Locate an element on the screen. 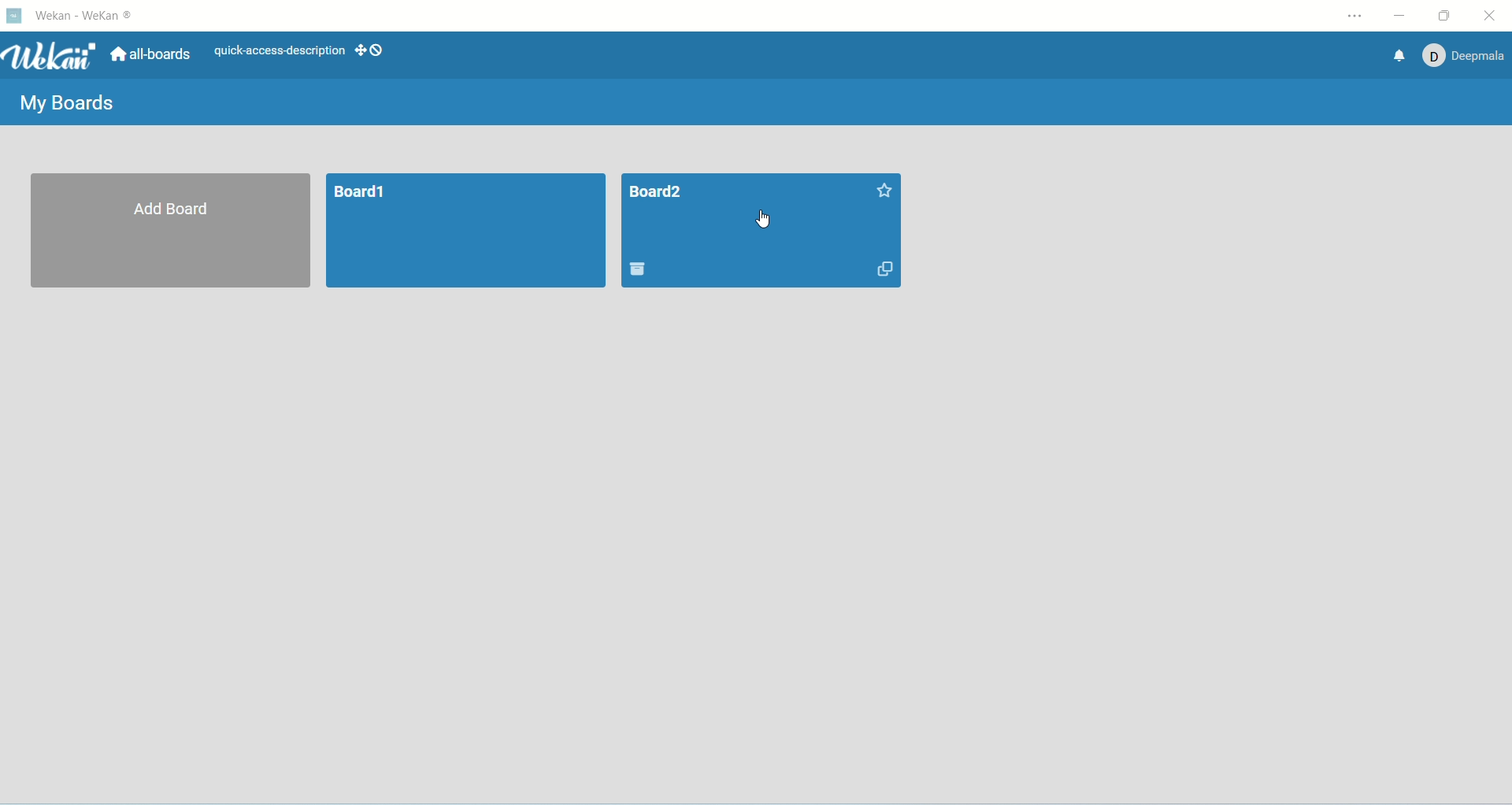 The image size is (1512, 805). notification is located at coordinates (1400, 56).